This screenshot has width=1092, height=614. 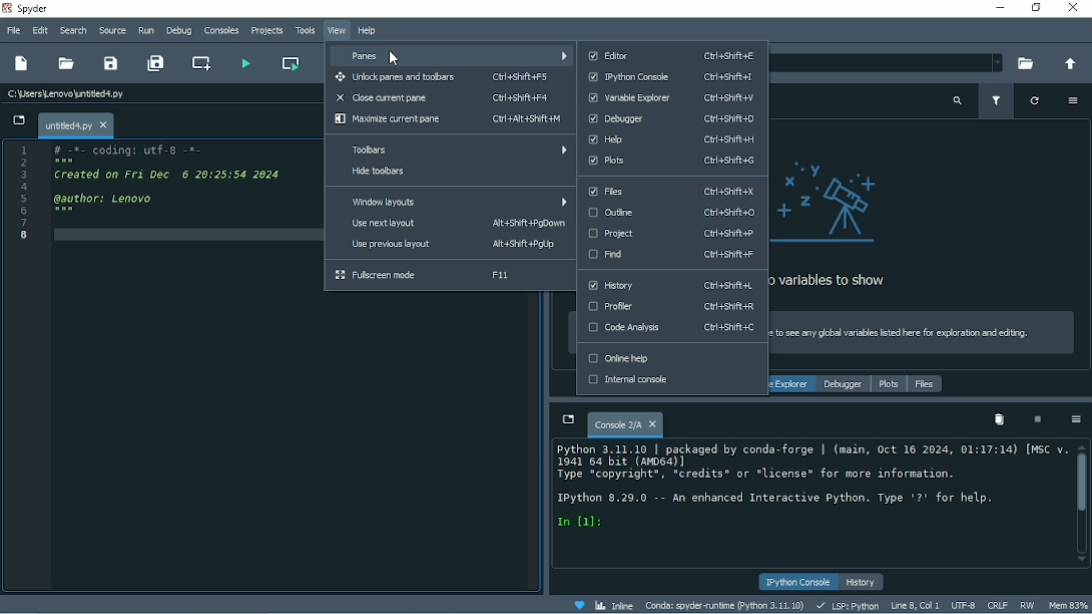 What do you see at coordinates (176, 173) in the screenshot?
I see `Created on date and time` at bounding box center [176, 173].